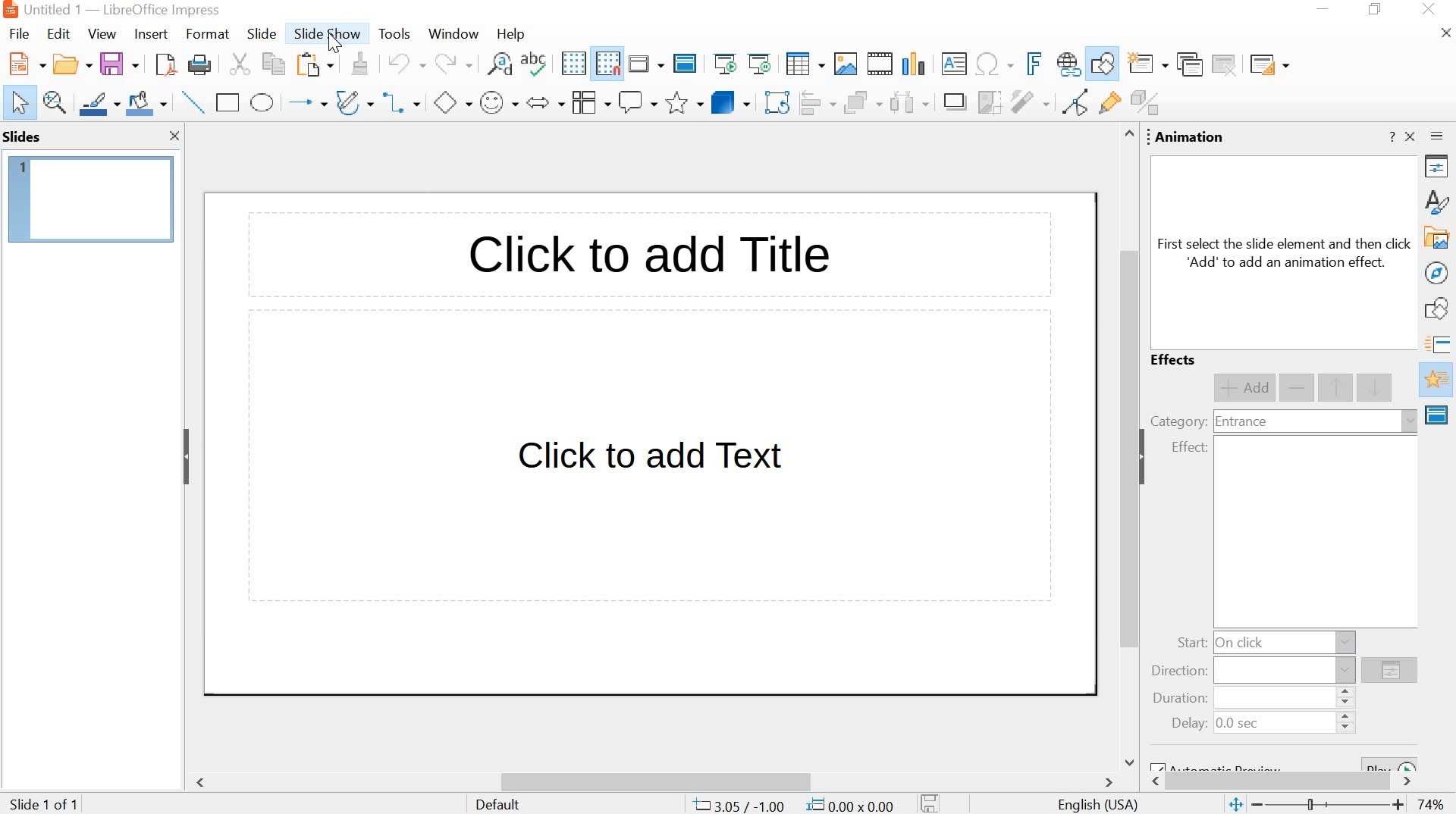 The width and height of the screenshot is (1456, 814). Describe the element at coordinates (1072, 105) in the screenshot. I see `toggle point edit mode` at that location.